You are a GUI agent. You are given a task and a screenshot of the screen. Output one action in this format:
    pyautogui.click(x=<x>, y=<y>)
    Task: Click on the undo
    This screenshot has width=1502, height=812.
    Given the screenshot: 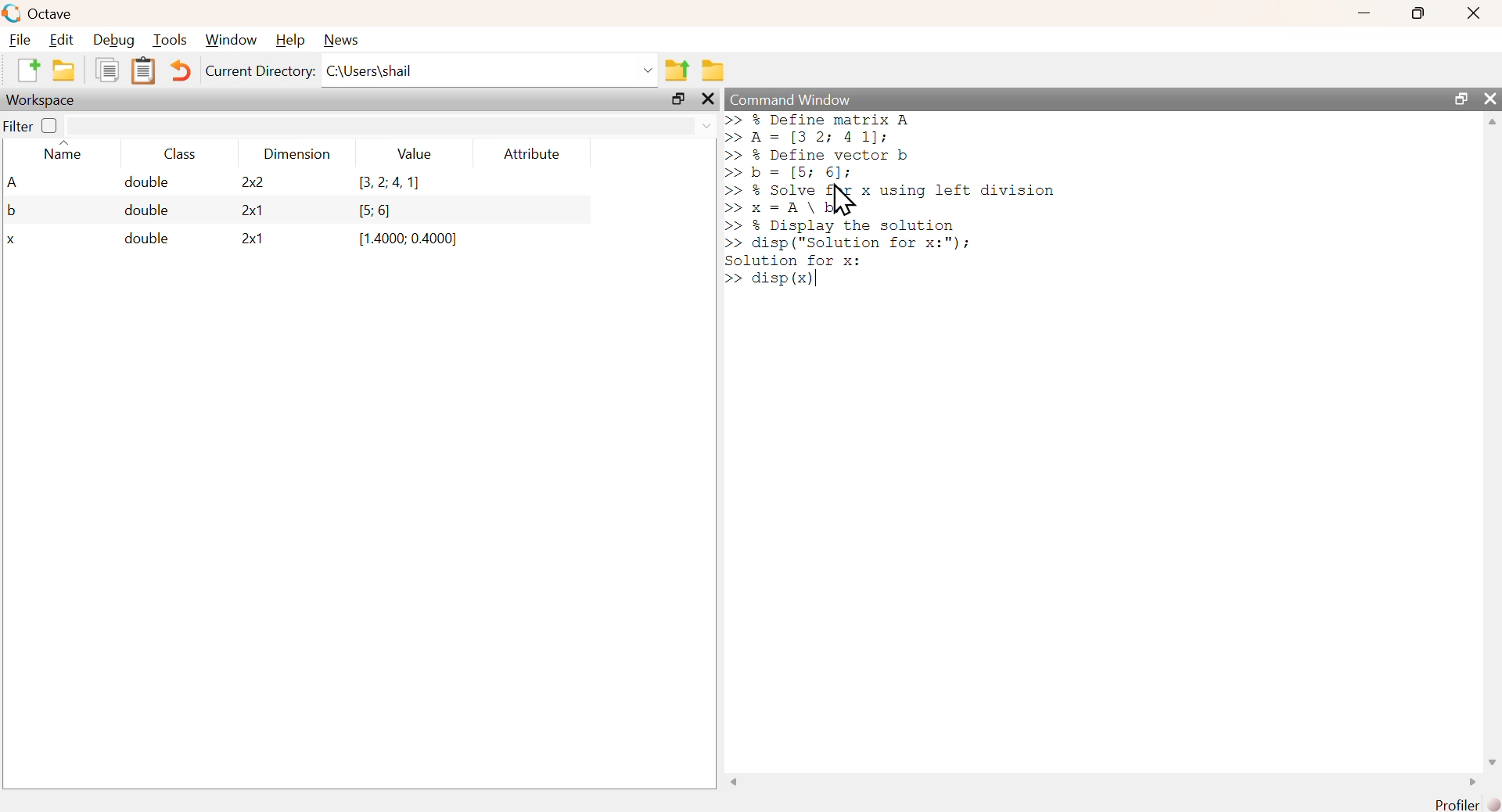 What is the action you would take?
    pyautogui.click(x=182, y=70)
    